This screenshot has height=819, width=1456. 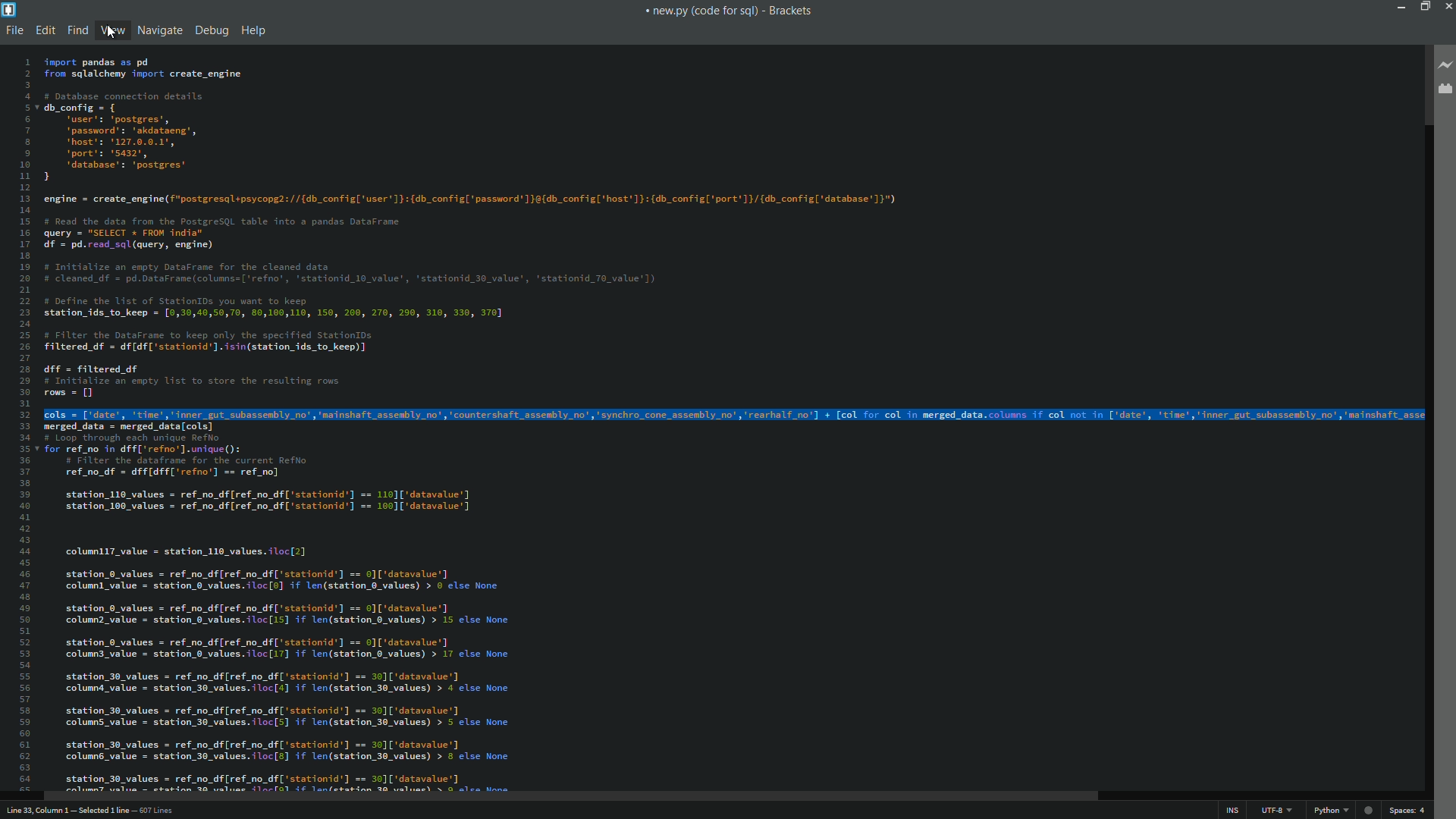 I want to click on app name, so click(x=790, y=11).